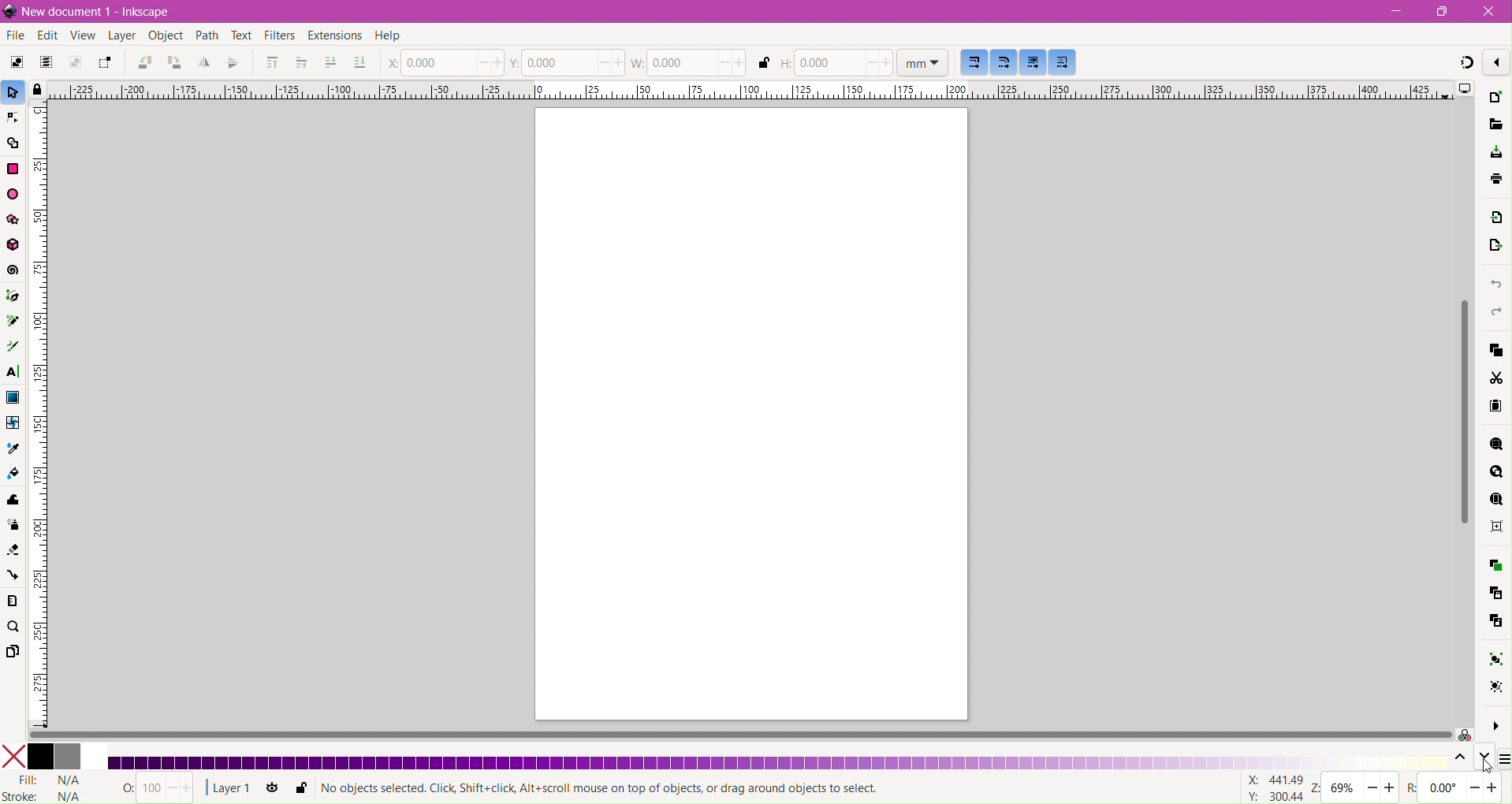  I want to click on Deselect, so click(76, 63).